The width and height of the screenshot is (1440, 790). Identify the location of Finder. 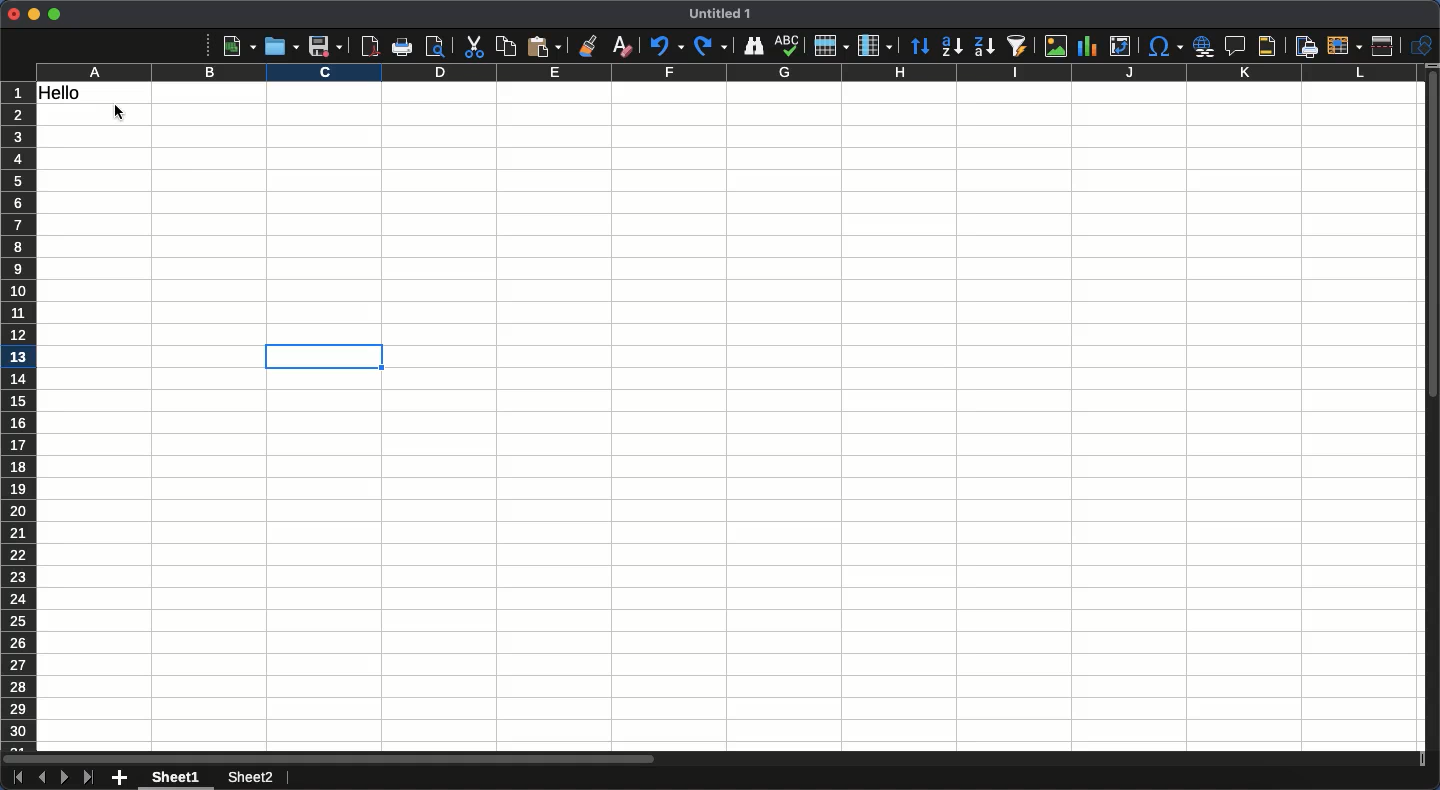
(751, 46).